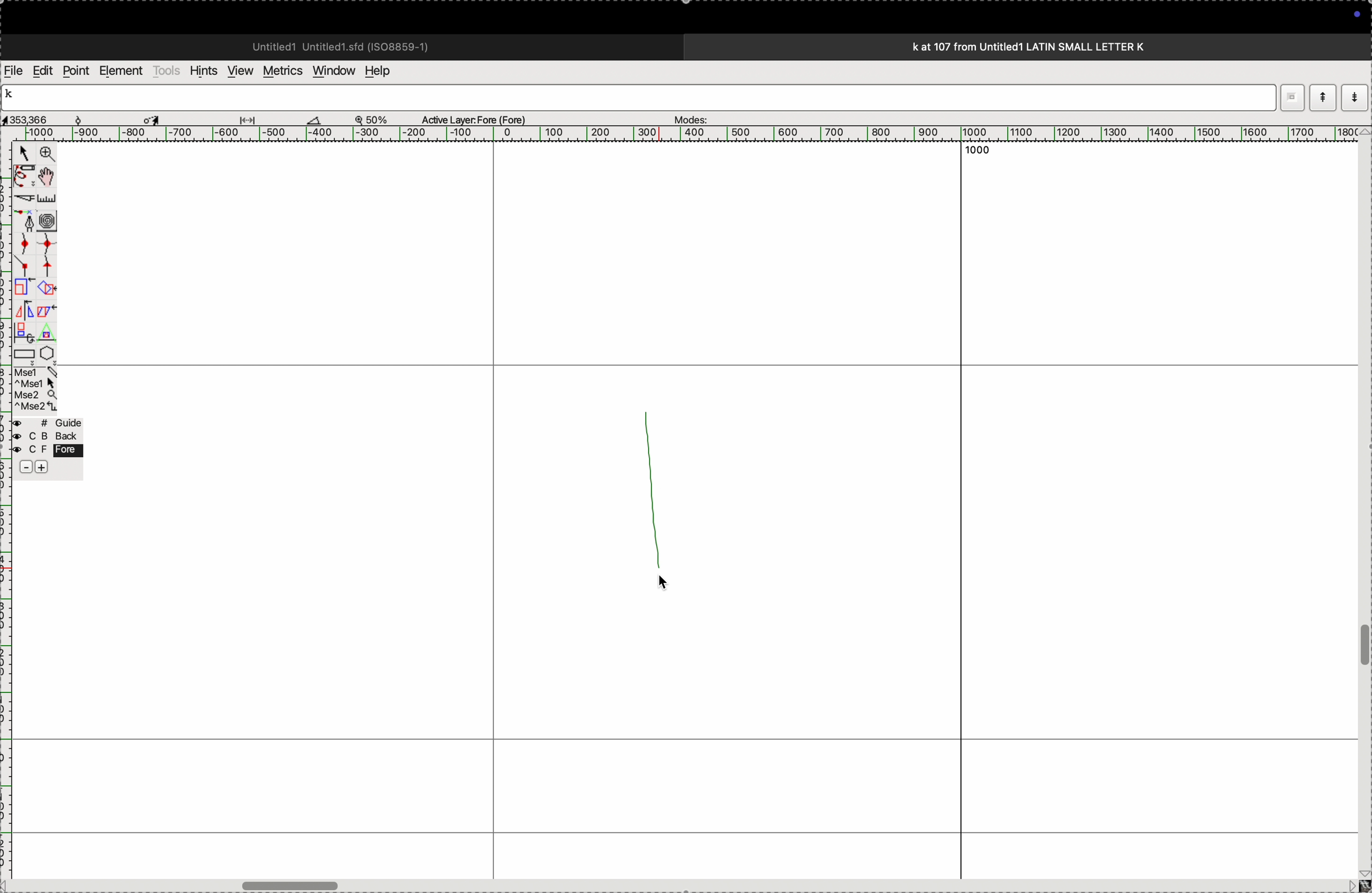 The image size is (1372, 893). Describe the element at coordinates (76, 71) in the screenshot. I see `point` at that location.